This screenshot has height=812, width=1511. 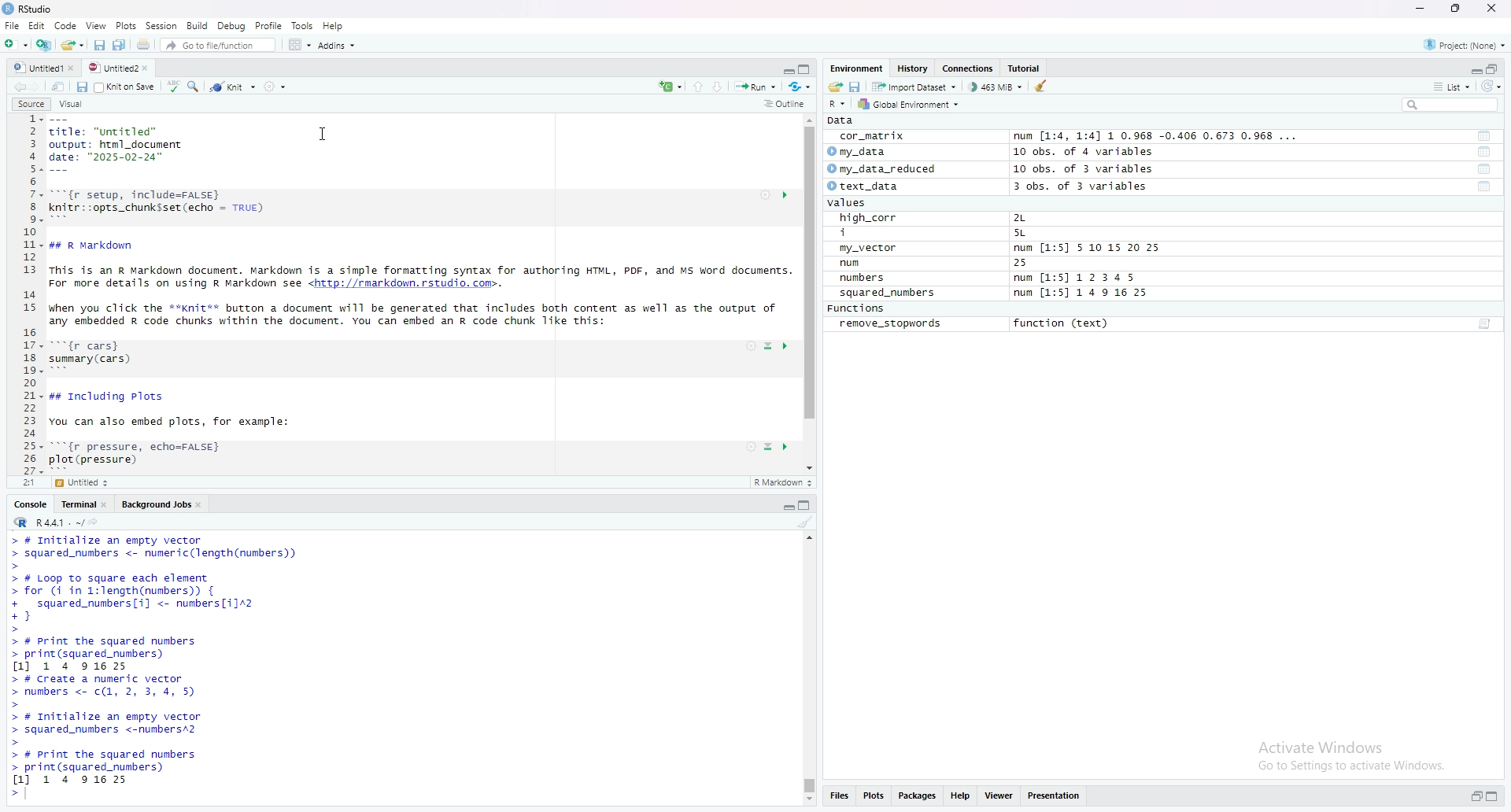 What do you see at coordinates (107, 506) in the screenshot?
I see `close` at bounding box center [107, 506].